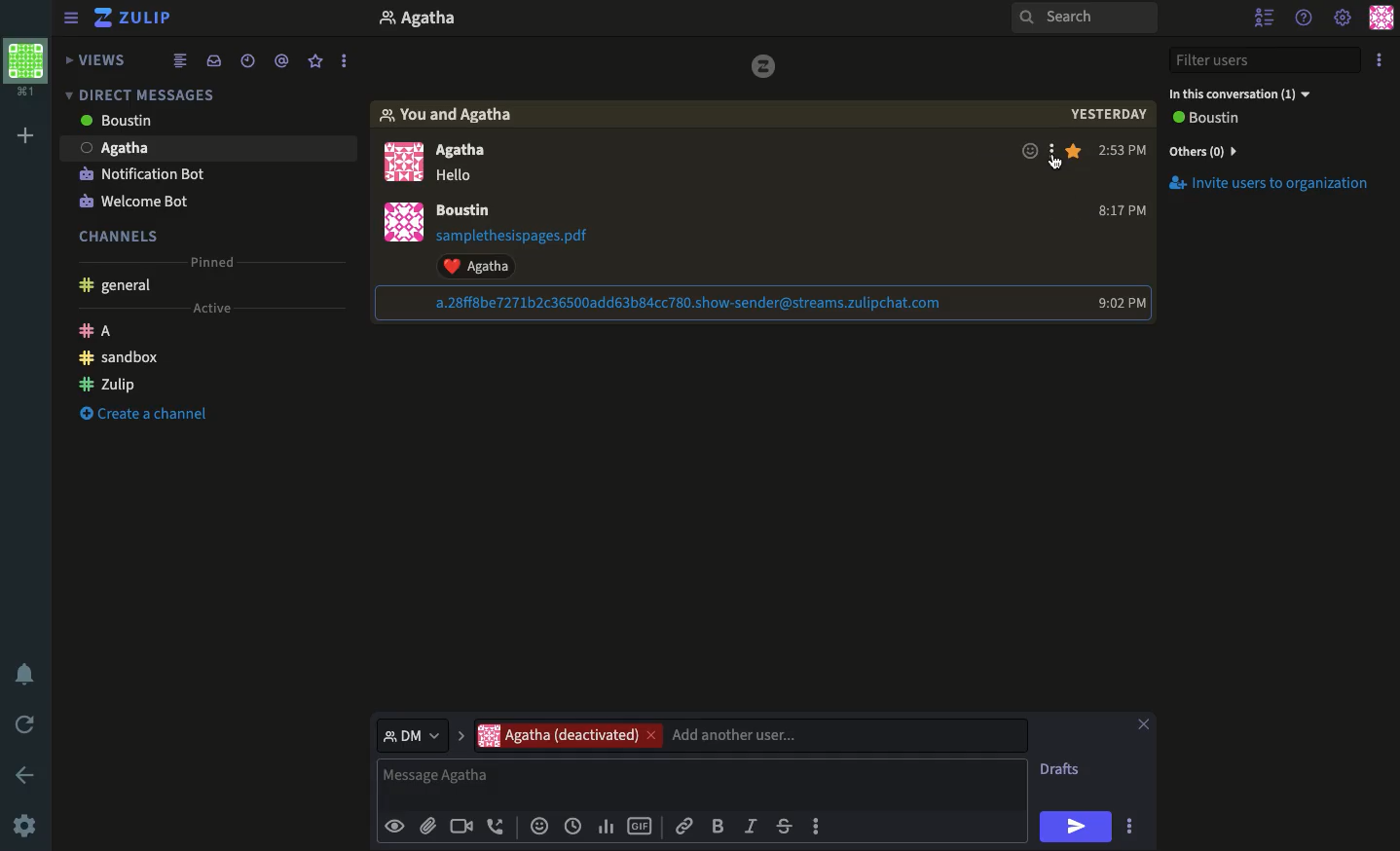 The height and width of the screenshot is (851, 1400). I want to click on Active, so click(209, 309).